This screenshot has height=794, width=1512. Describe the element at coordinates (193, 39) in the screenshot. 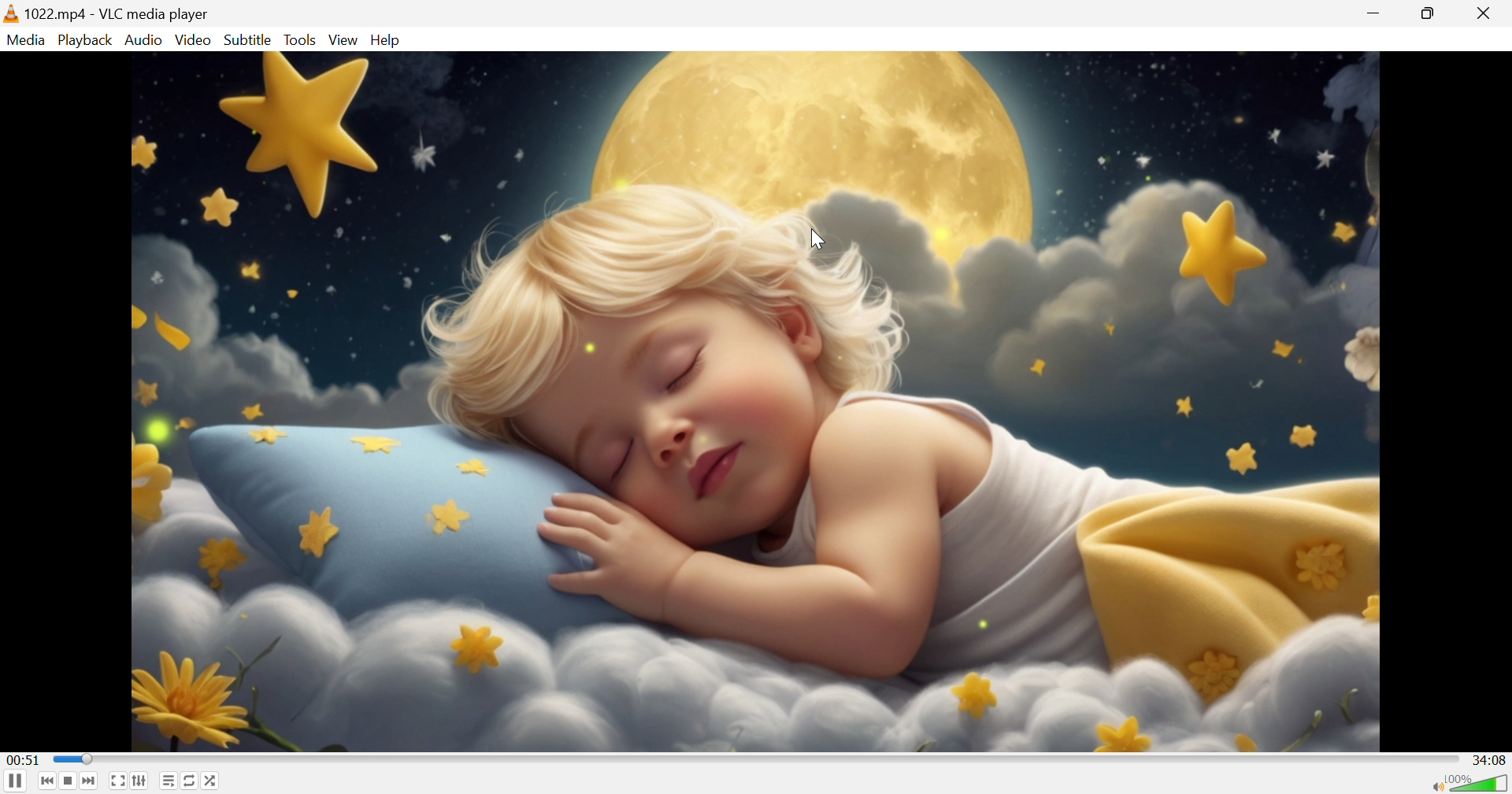

I see `Video` at that location.